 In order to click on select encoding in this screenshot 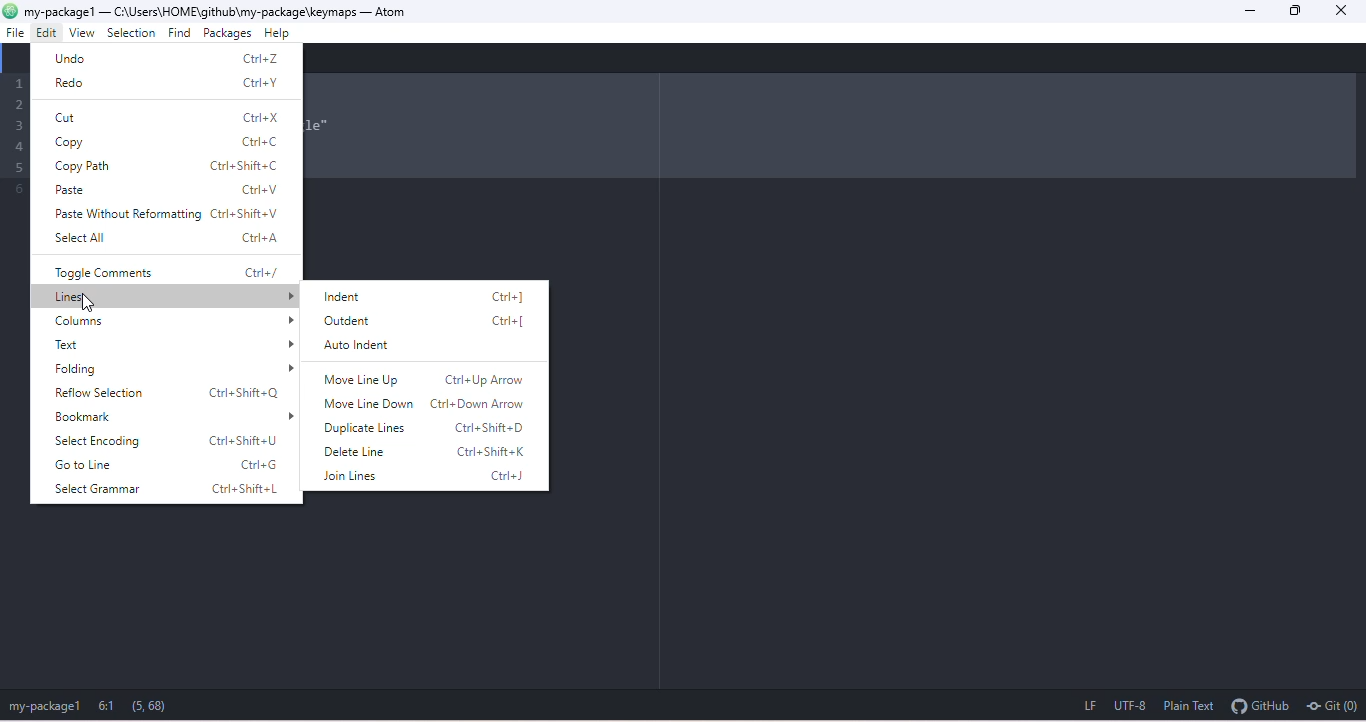, I will do `click(169, 442)`.